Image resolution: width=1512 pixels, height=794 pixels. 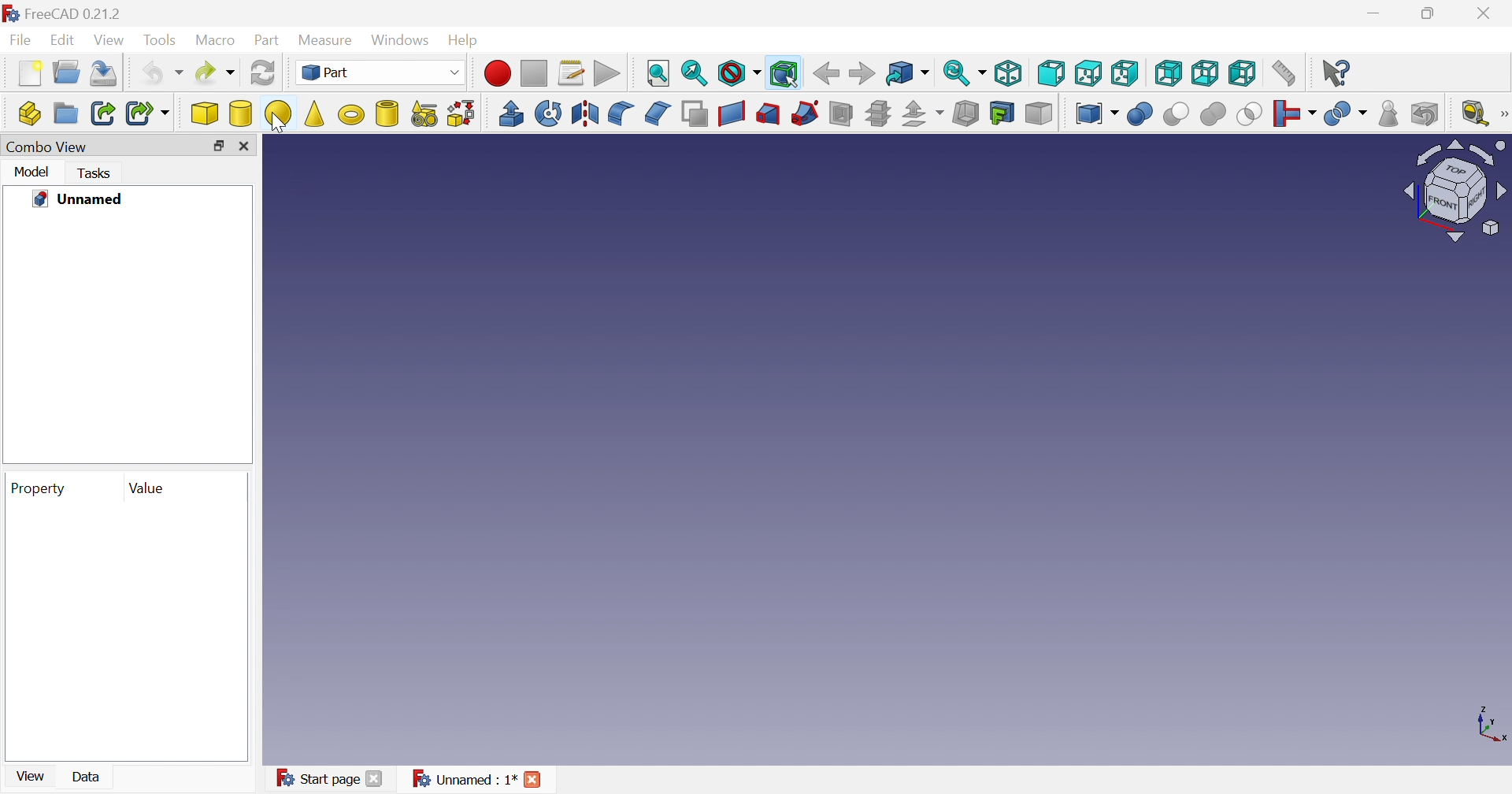 What do you see at coordinates (1474, 115) in the screenshot?
I see `Measure liner` at bounding box center [1474, 115].